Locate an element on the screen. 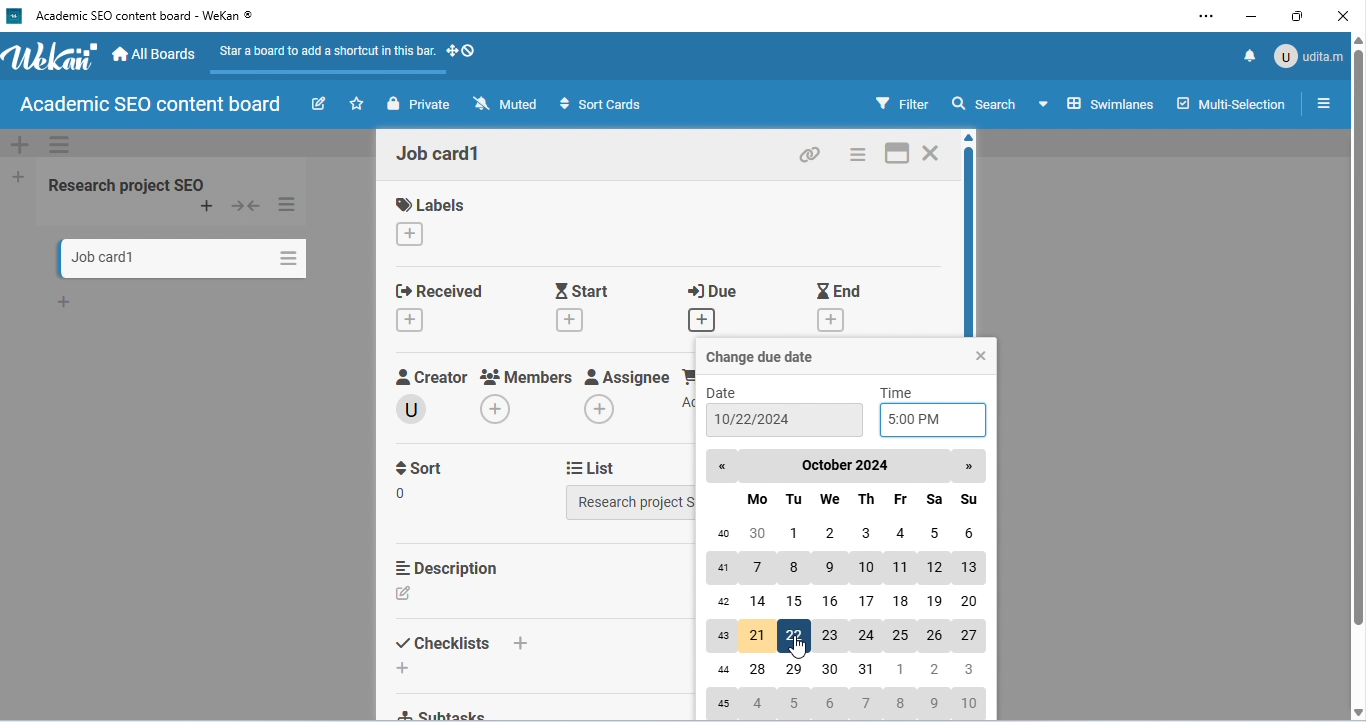 Image resolution: width=1366 pixels, height=722 pixels. due is located at coordinates (720, 289).